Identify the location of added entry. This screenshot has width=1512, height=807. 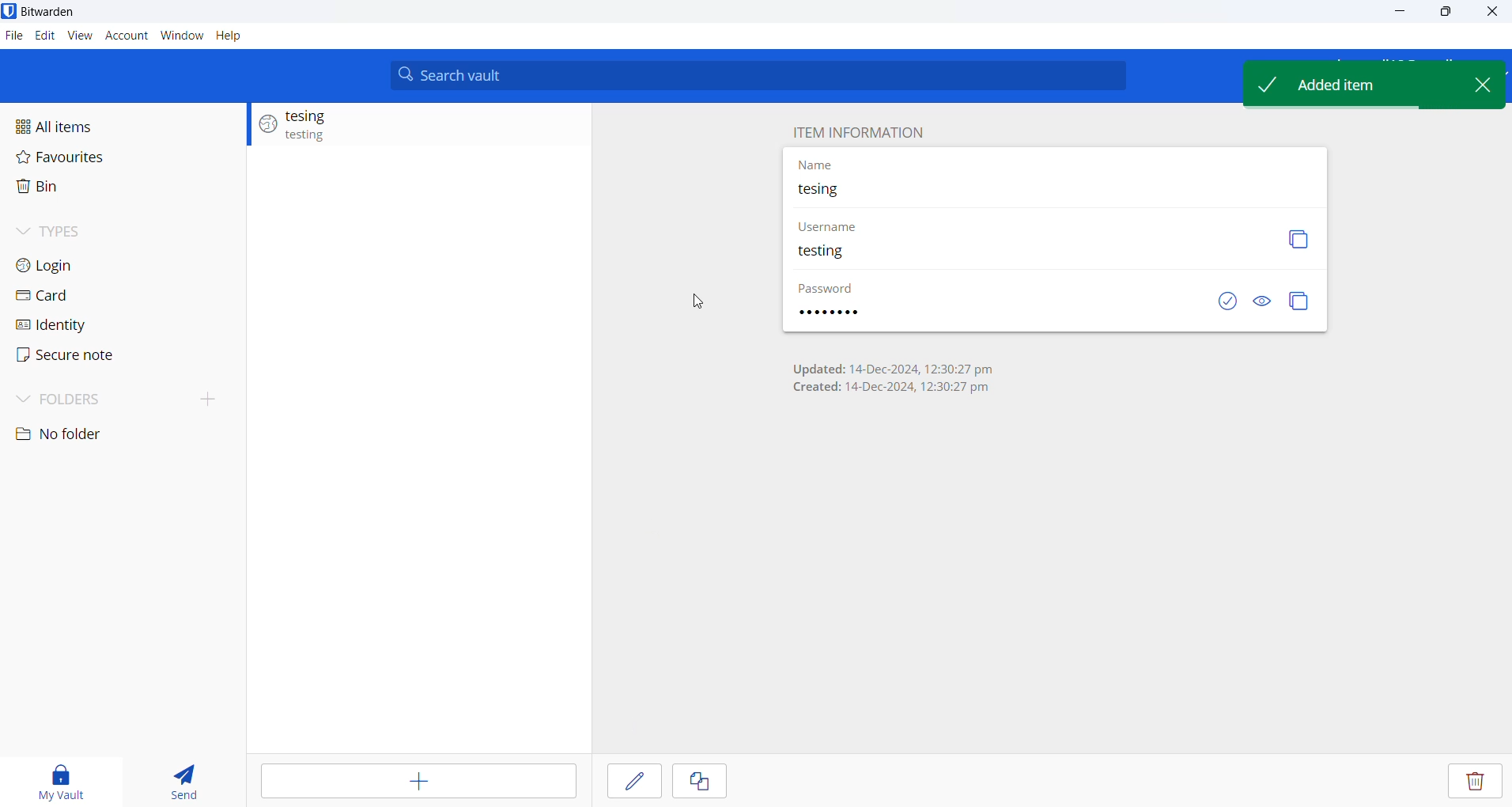
(422, 127).